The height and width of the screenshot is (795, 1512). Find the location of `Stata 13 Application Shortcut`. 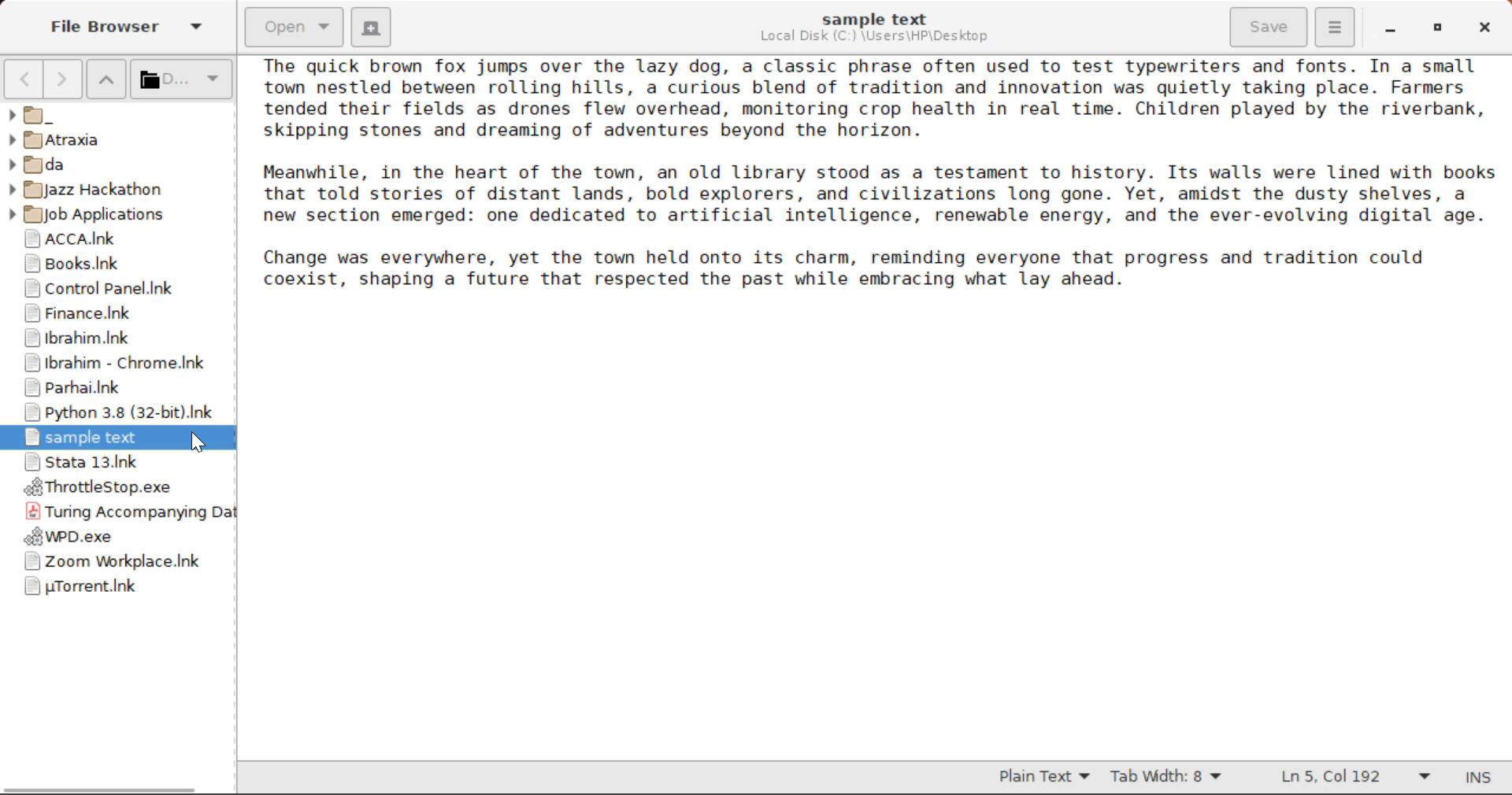

Stata 13 Application Shortcut is located at coordinates (117, 464).